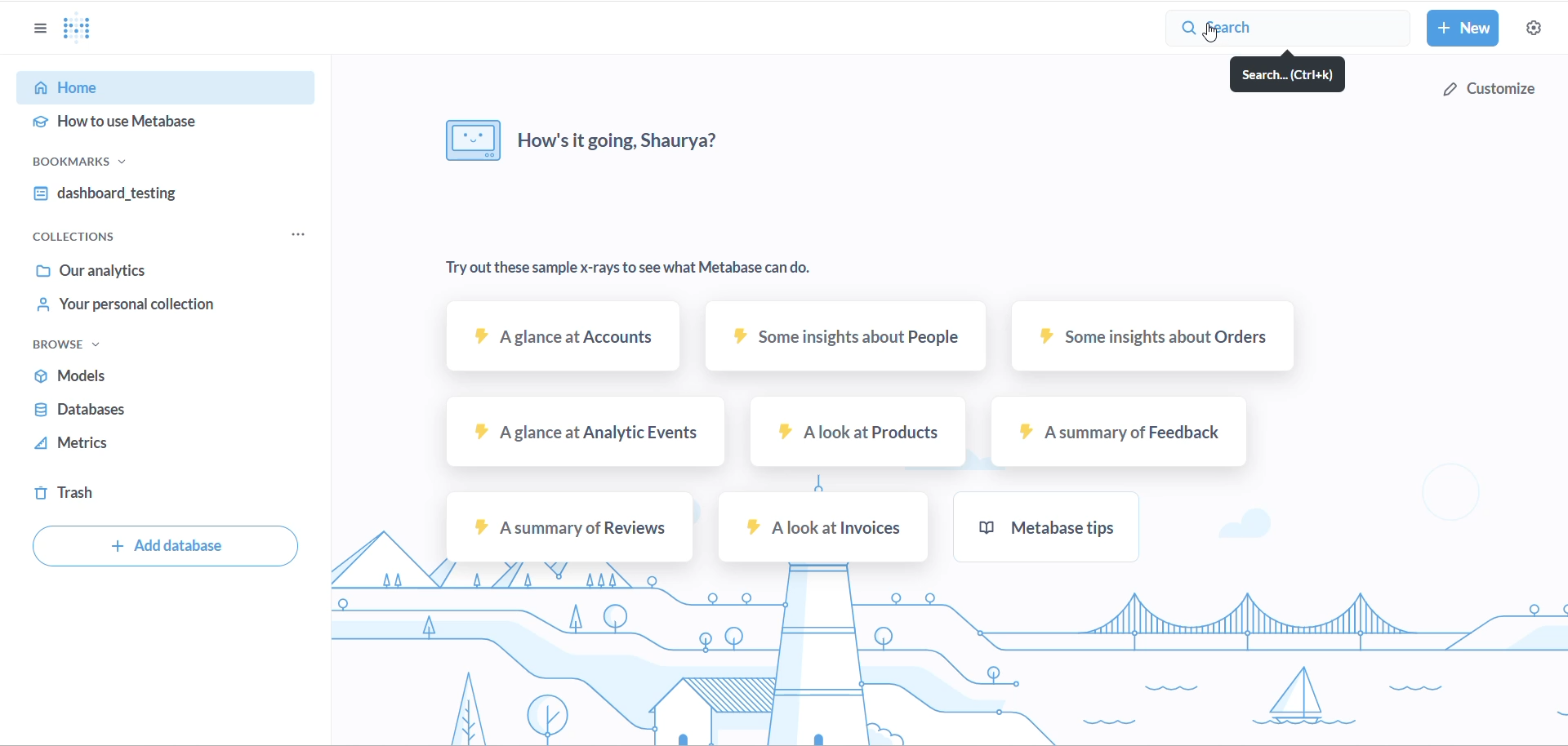 The image size is (1568, 746). I want to click on search bar , so click(1292, 29).